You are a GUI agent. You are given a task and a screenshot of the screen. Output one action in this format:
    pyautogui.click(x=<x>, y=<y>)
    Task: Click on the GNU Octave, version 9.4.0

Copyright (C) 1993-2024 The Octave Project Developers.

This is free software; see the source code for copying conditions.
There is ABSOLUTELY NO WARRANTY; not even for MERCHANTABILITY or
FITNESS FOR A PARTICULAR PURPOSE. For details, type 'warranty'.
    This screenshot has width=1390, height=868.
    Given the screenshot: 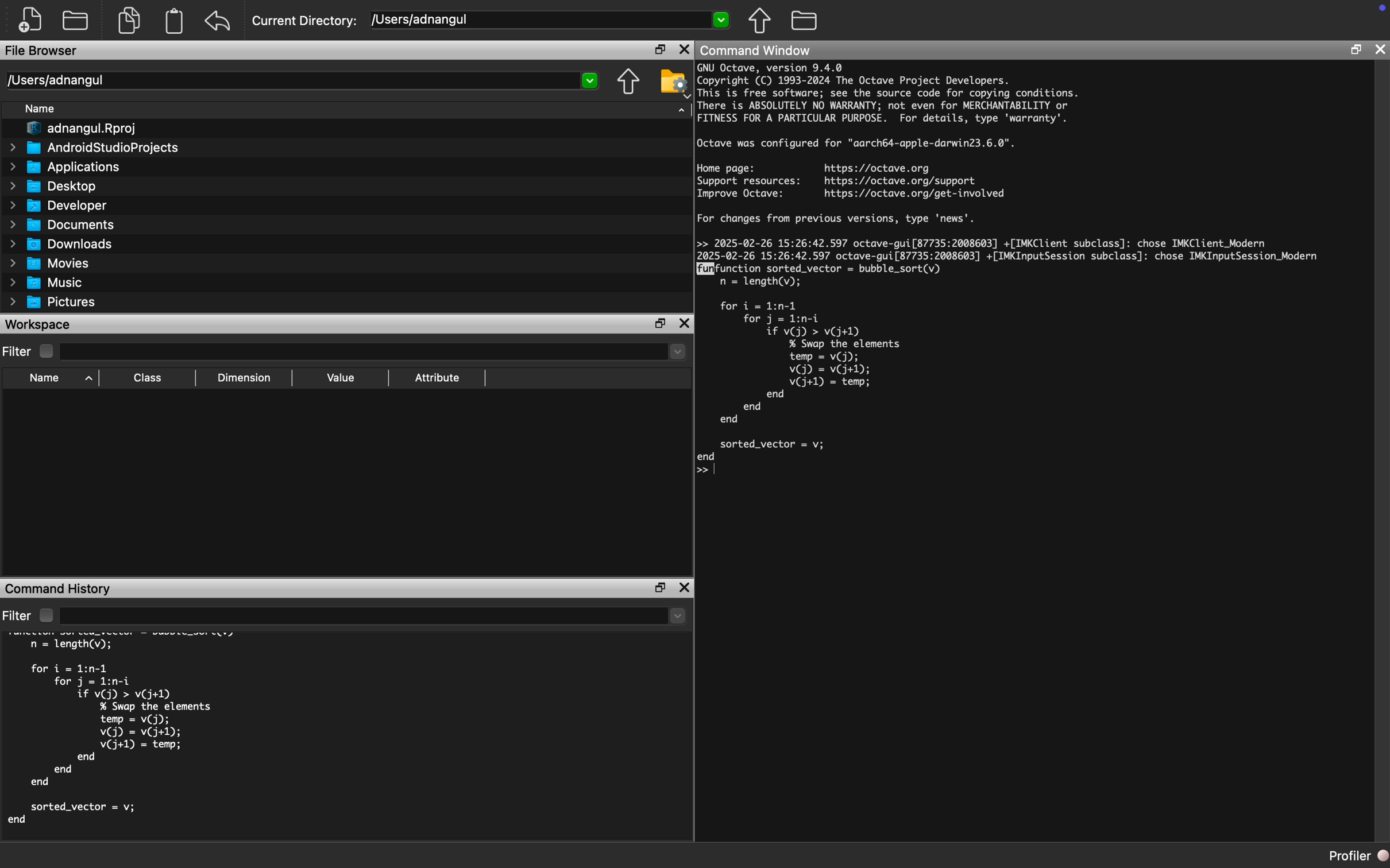 What is the action you would take?
    pyautogui.click(x=889, y=95)
    